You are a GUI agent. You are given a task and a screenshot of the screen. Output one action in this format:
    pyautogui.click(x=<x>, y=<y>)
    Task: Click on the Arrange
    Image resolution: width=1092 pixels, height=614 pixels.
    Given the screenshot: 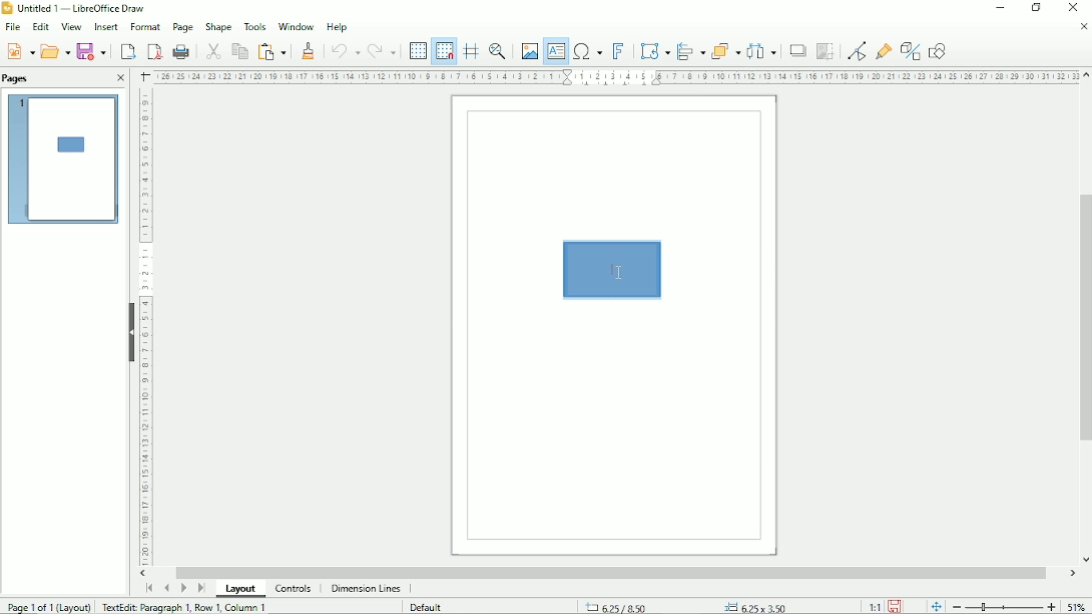 What is the action you would take?
    pyautogui.click(x=725, y=49)
    